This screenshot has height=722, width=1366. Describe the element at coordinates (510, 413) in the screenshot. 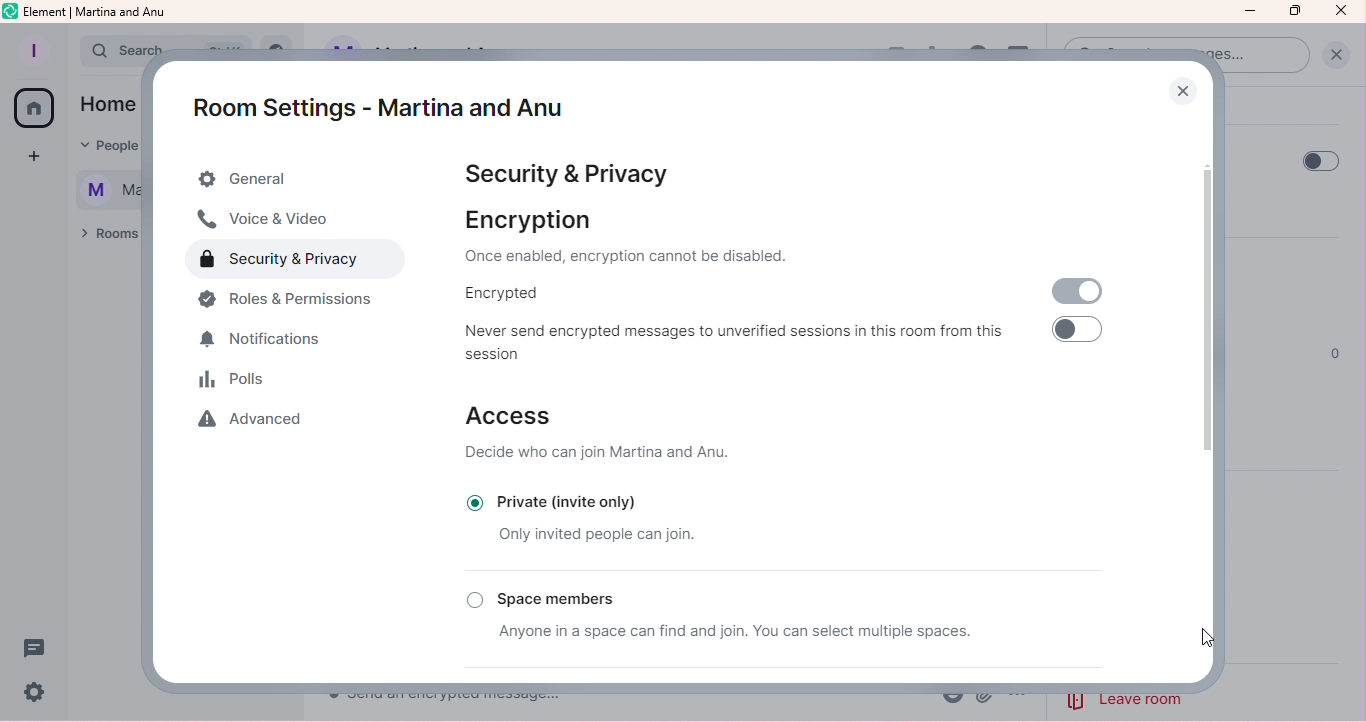

I see `Access` at that location.